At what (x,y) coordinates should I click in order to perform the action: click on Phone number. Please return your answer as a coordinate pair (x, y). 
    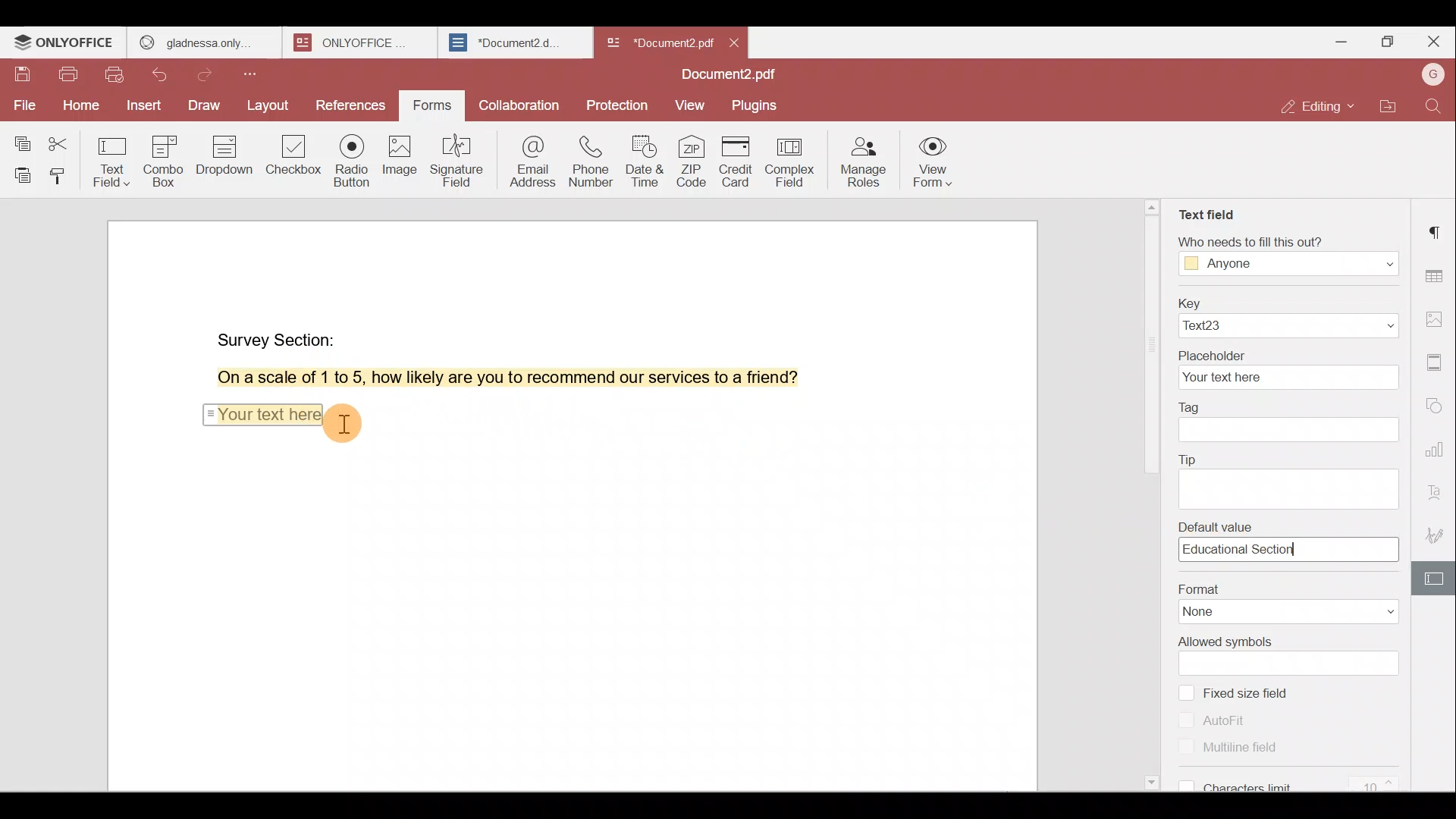
    Looking at the image, I should click on (588, 156).